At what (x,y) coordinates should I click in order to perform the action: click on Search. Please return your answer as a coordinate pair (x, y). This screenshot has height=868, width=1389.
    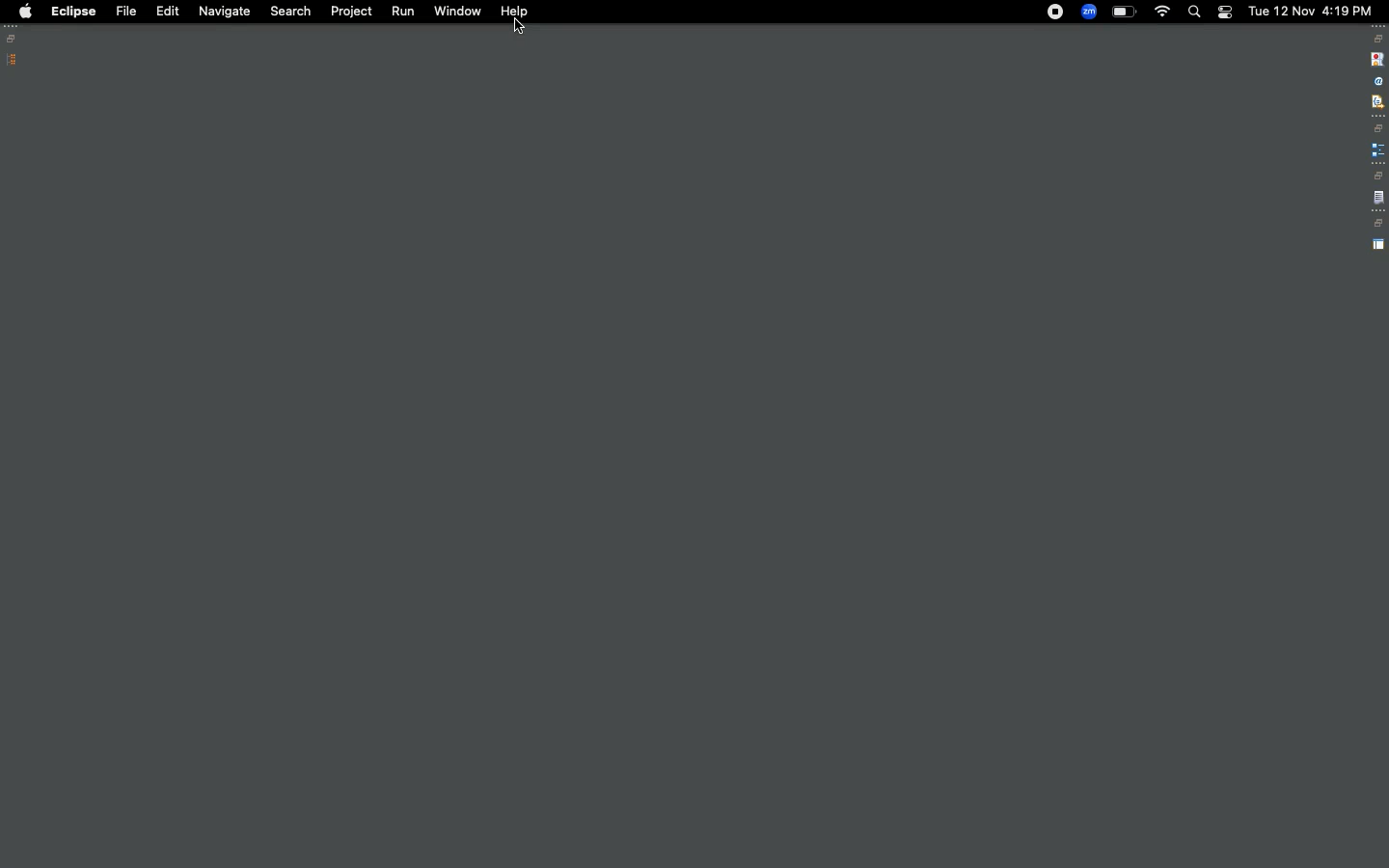
    Looking at the image, I should click on (1193, 12).